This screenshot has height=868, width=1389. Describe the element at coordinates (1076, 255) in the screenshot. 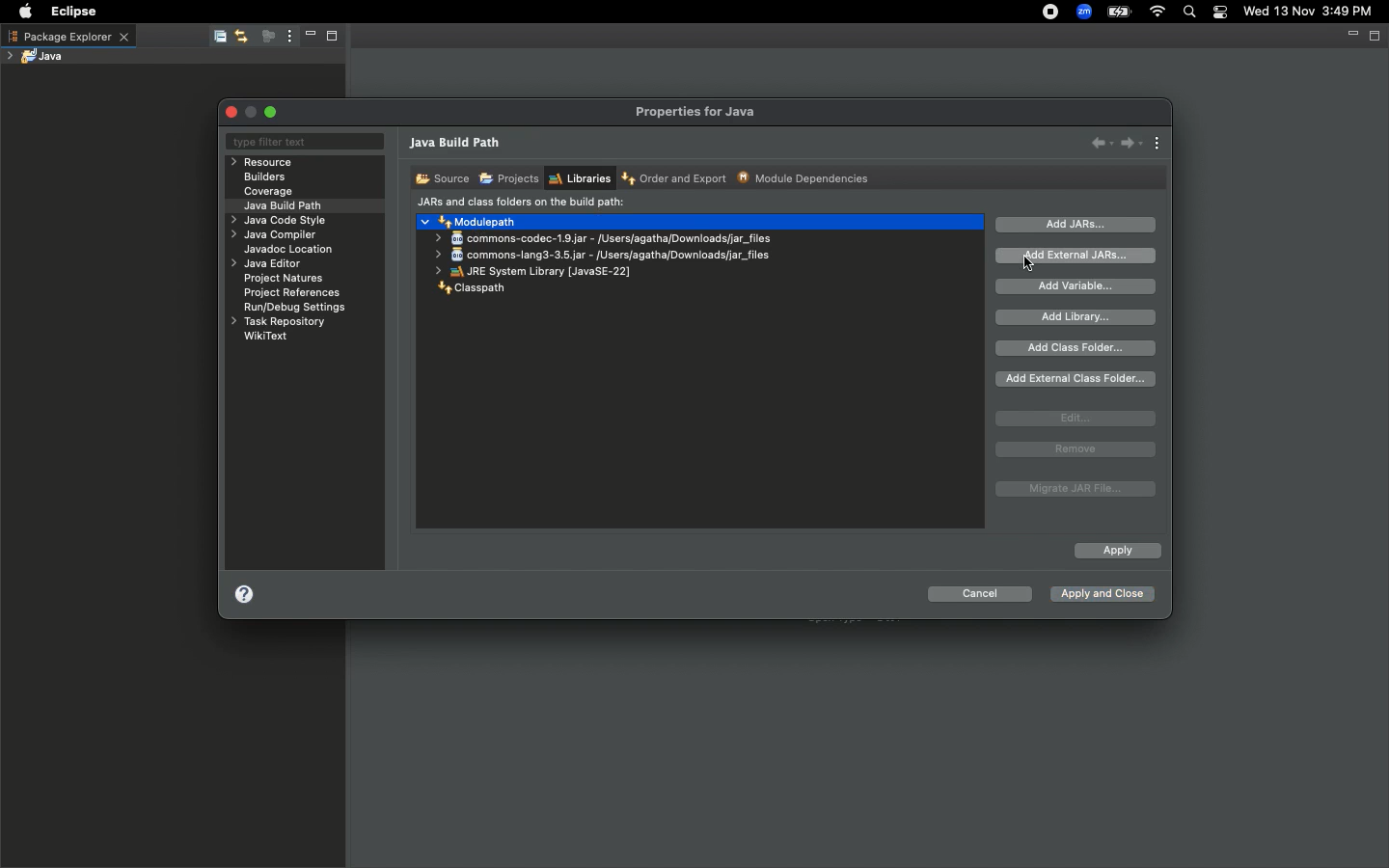

I see `Add external JAR` at that location.